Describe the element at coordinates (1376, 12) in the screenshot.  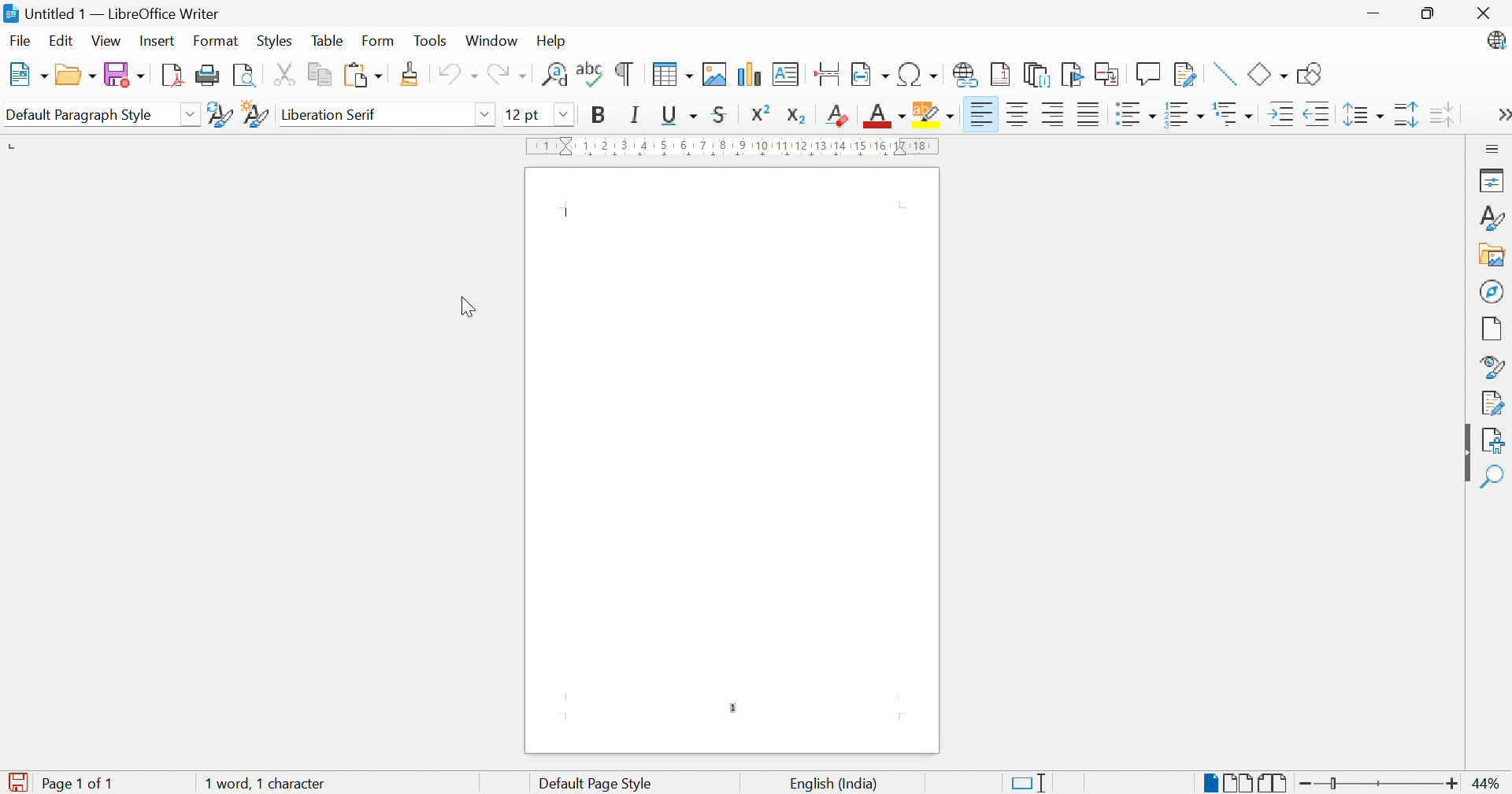
I see `Minimize` at that location.